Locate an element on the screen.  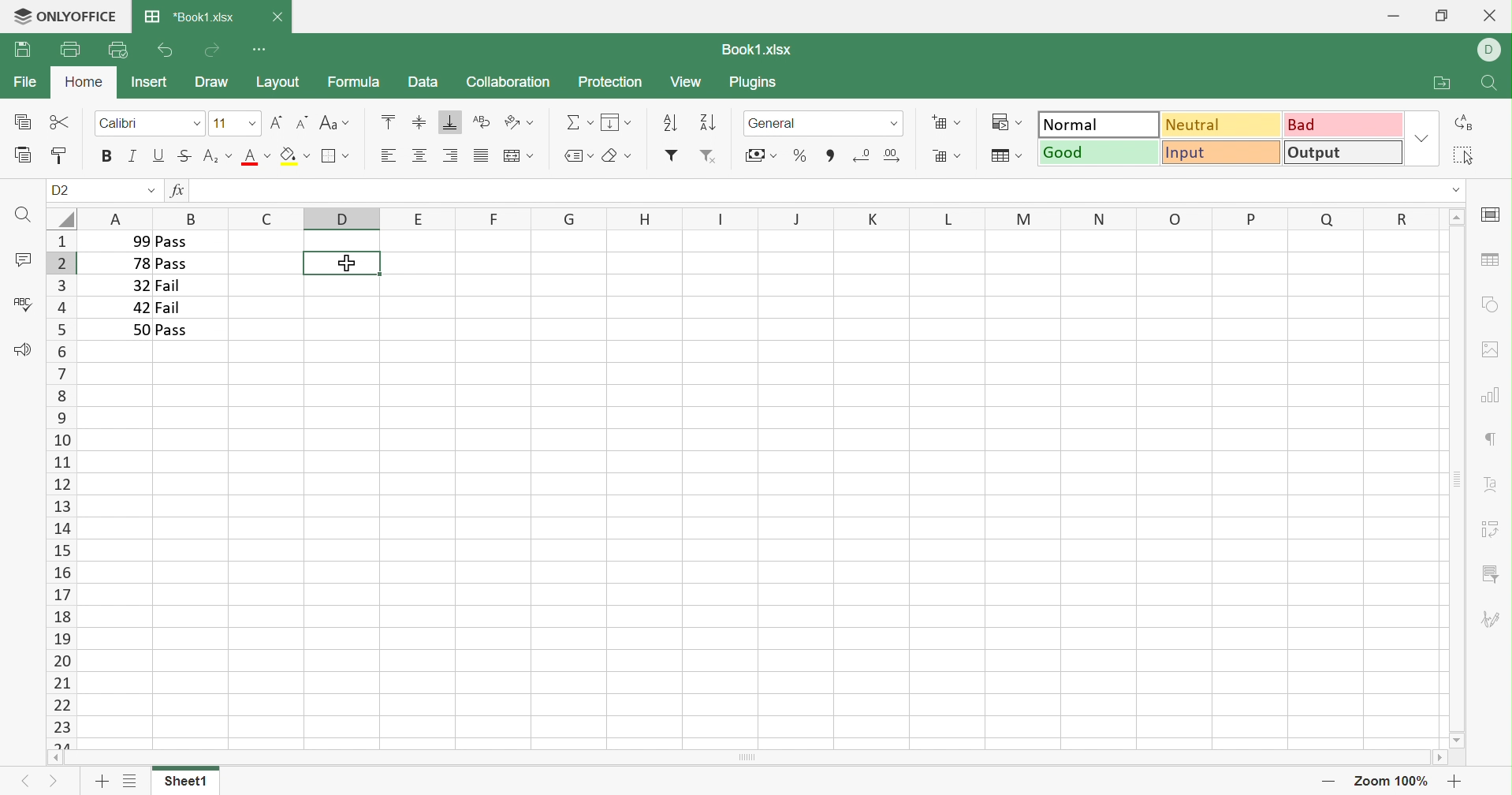
Save is located at coordinates (22, 50).